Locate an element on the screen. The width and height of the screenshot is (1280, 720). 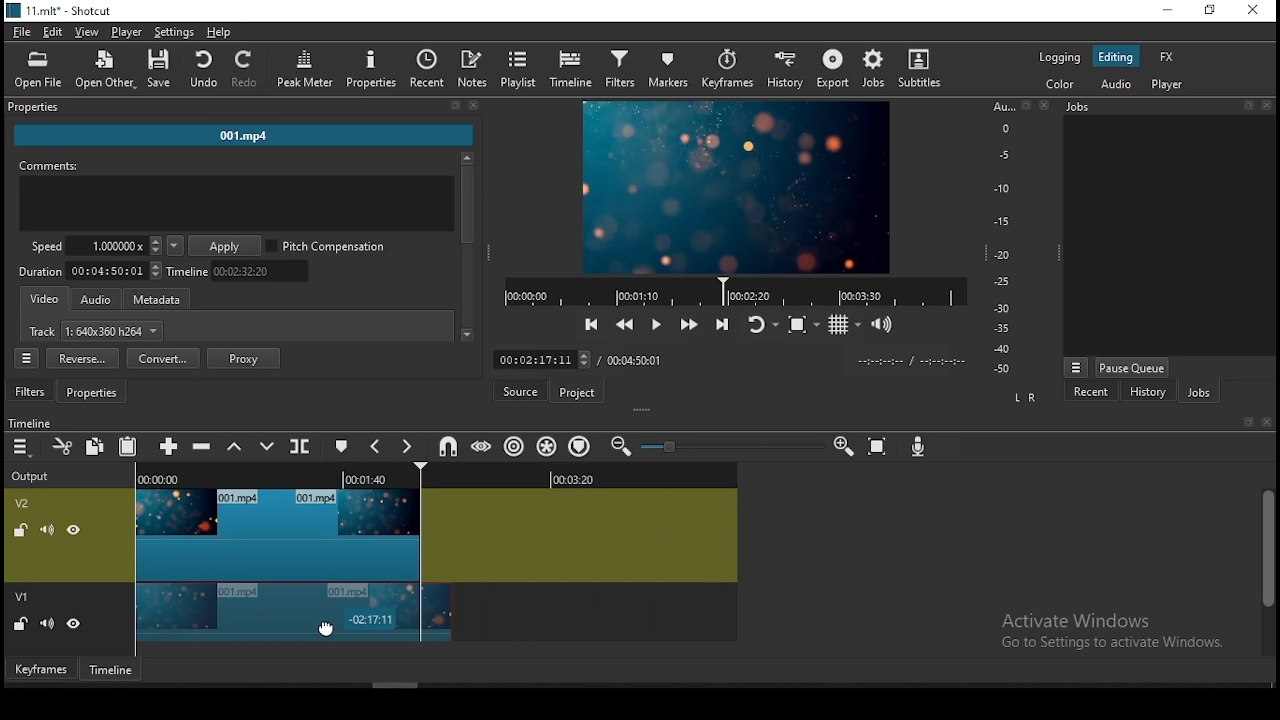
video track V2 (split) is located at coordinates (275, 534).